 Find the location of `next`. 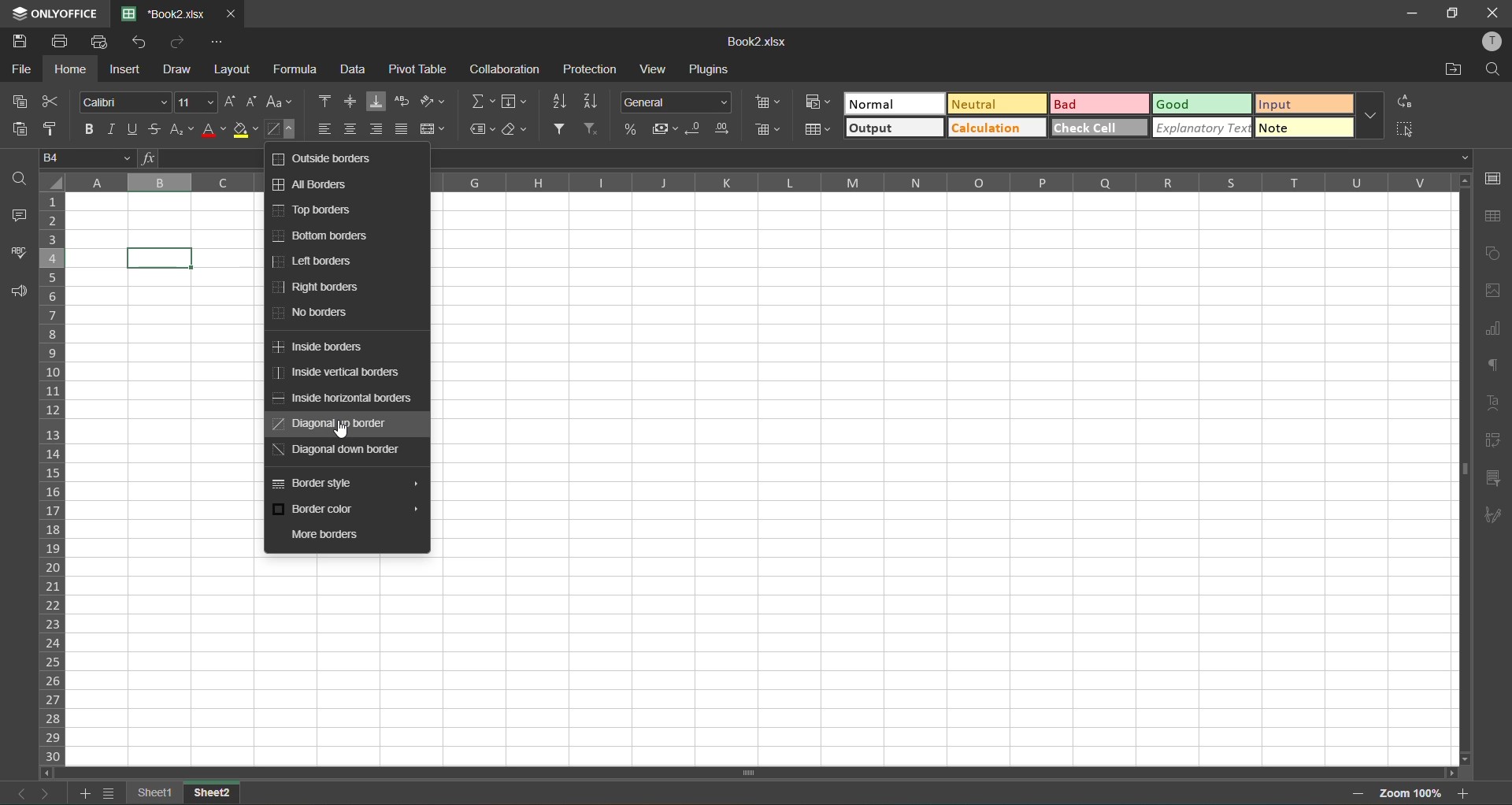

next is located at coordinates (46, 793).